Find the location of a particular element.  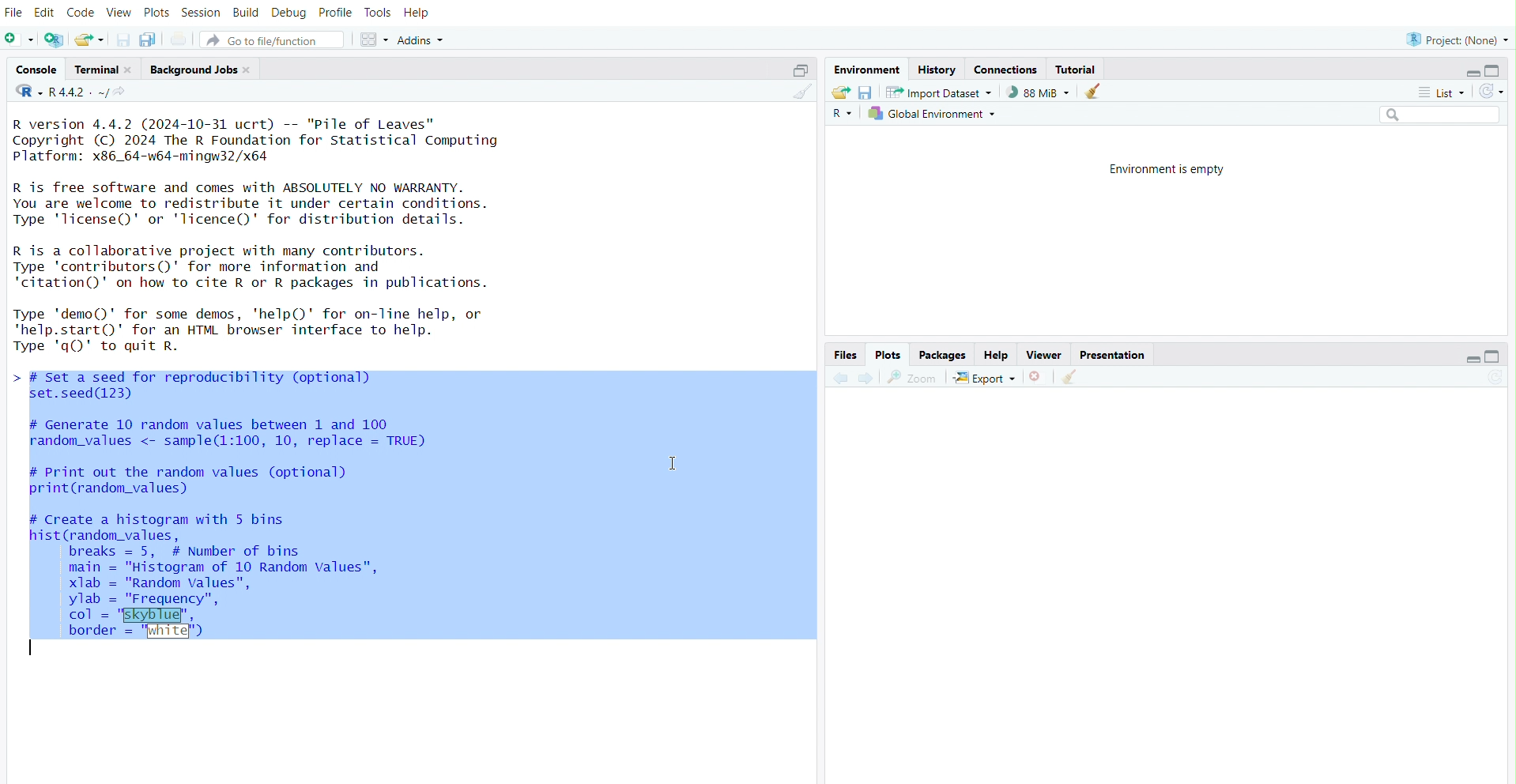

clear objects from the workspace is located at coordinates (1095, 92).